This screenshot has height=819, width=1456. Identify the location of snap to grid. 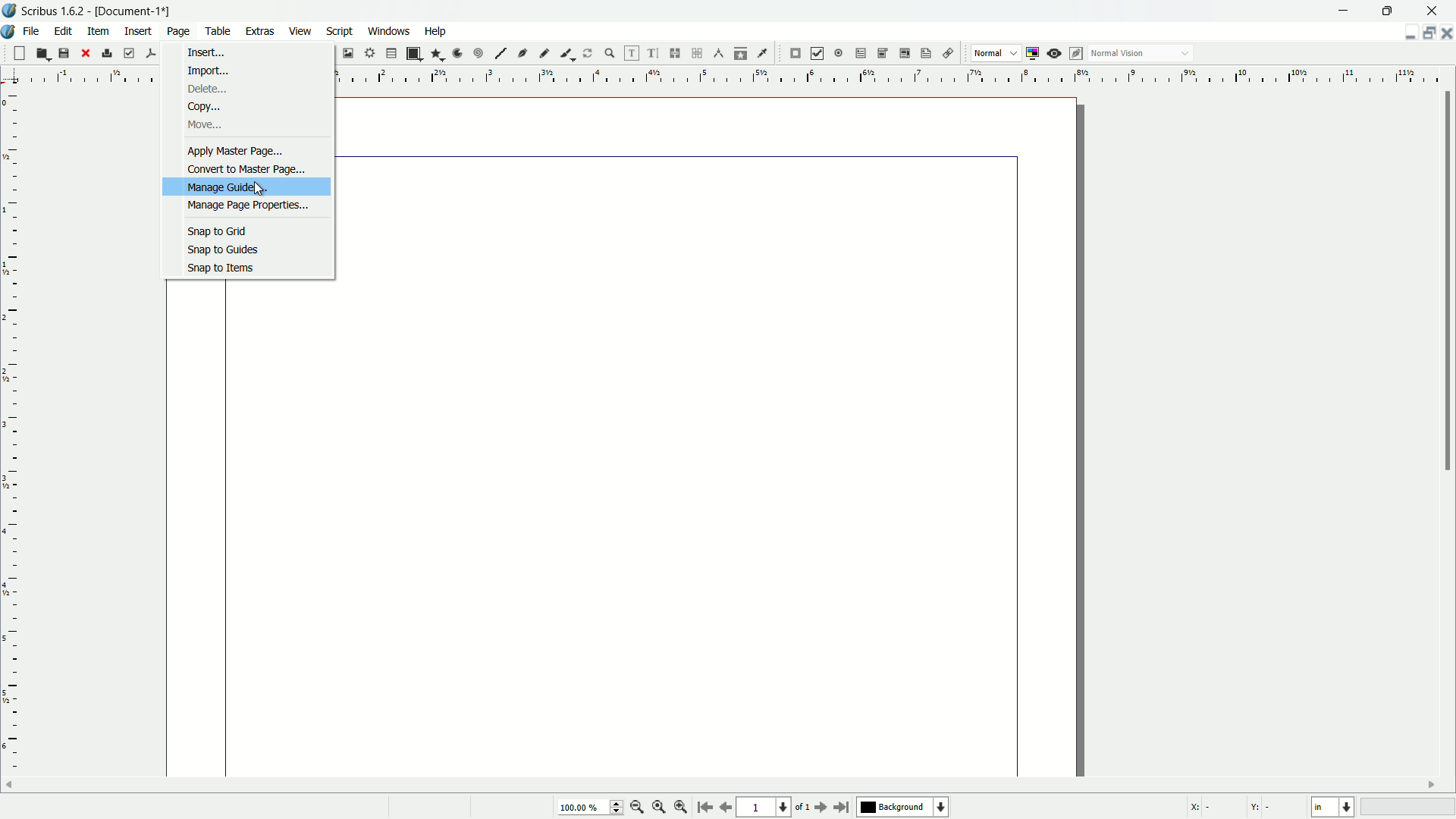
(218, 231).